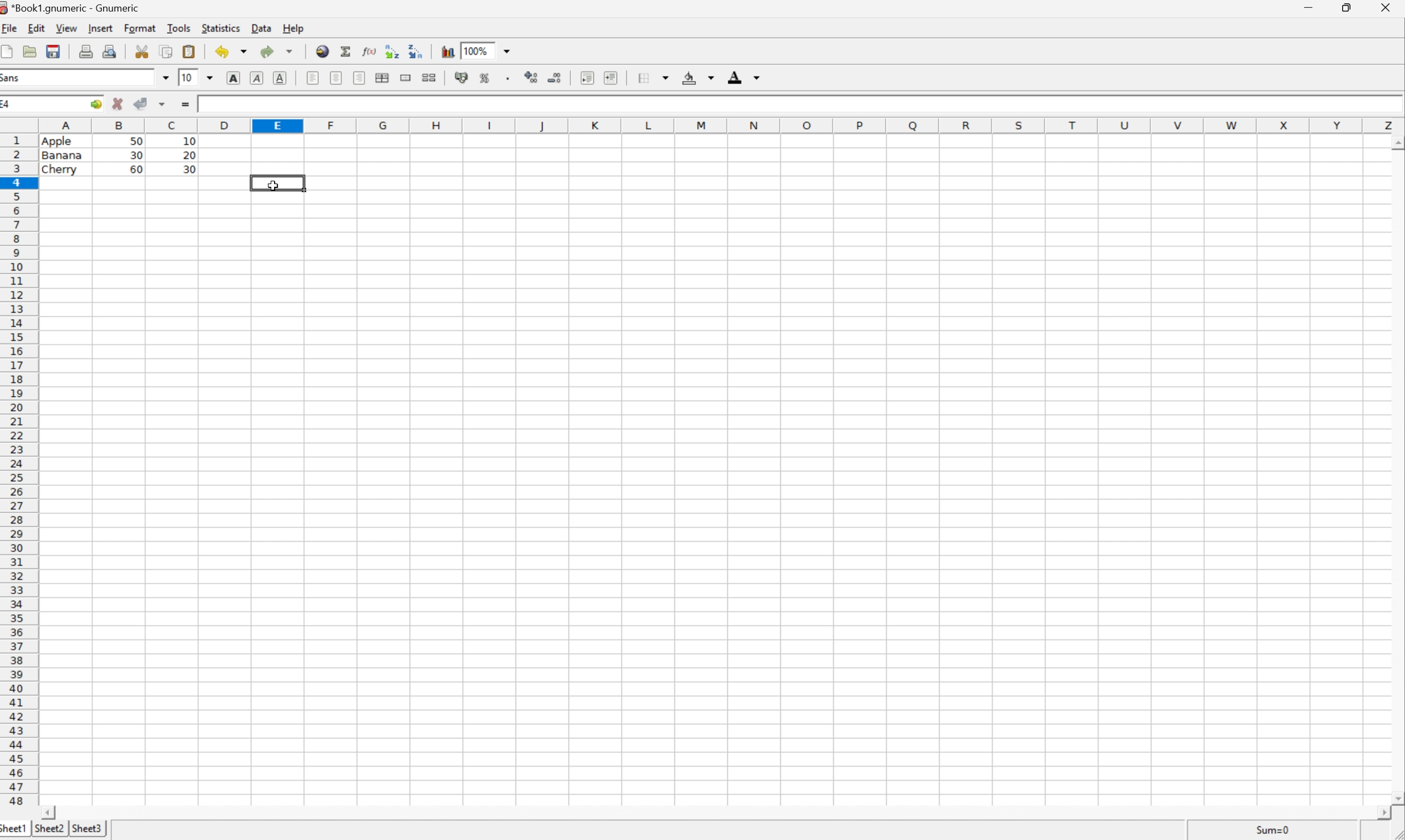  Describe the element at coordinates (282, 78) in the screenshot. I see `underline` at that location.